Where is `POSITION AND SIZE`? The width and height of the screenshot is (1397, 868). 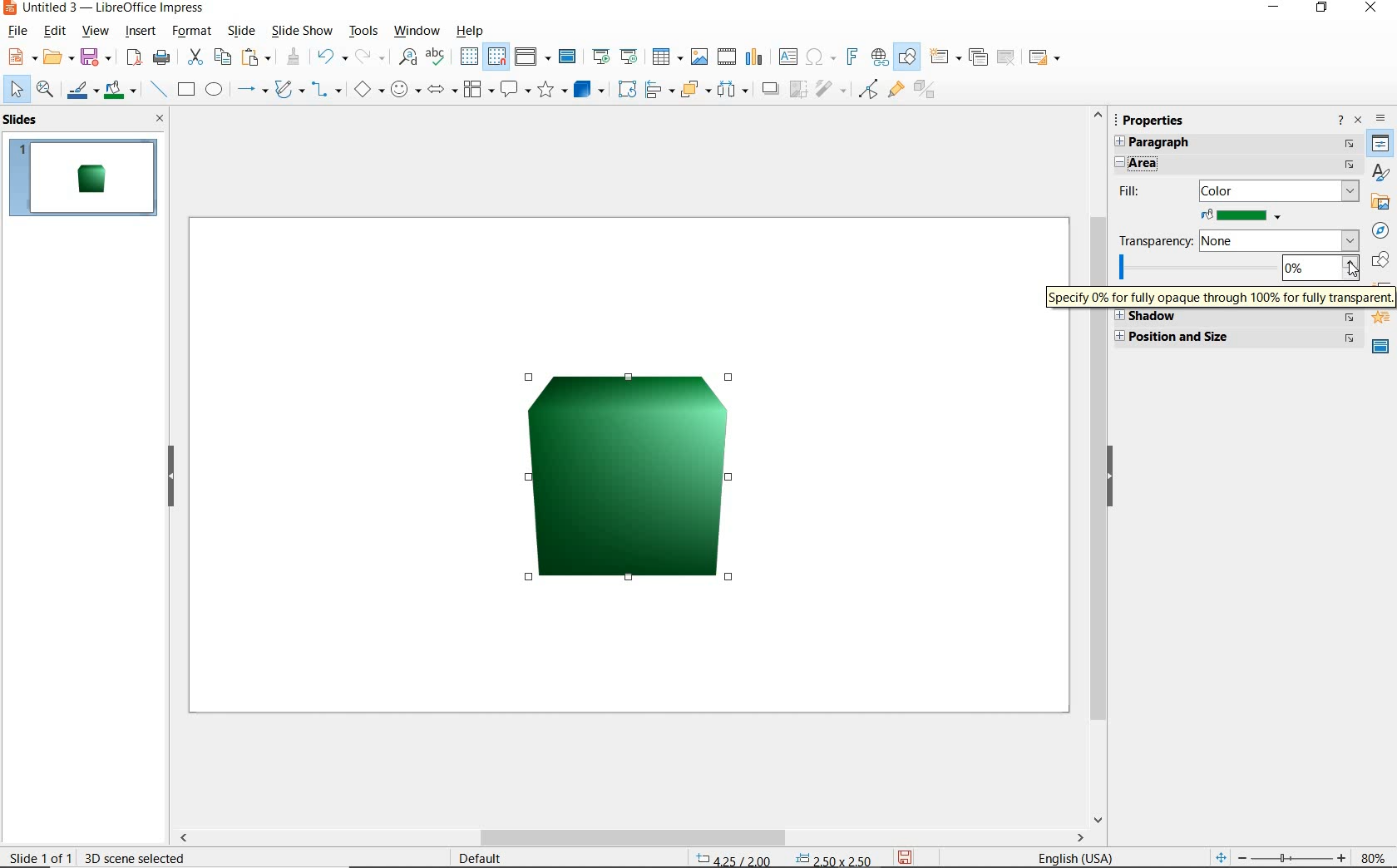
POSITION AND SIZE is located at coordinates (786, 857).